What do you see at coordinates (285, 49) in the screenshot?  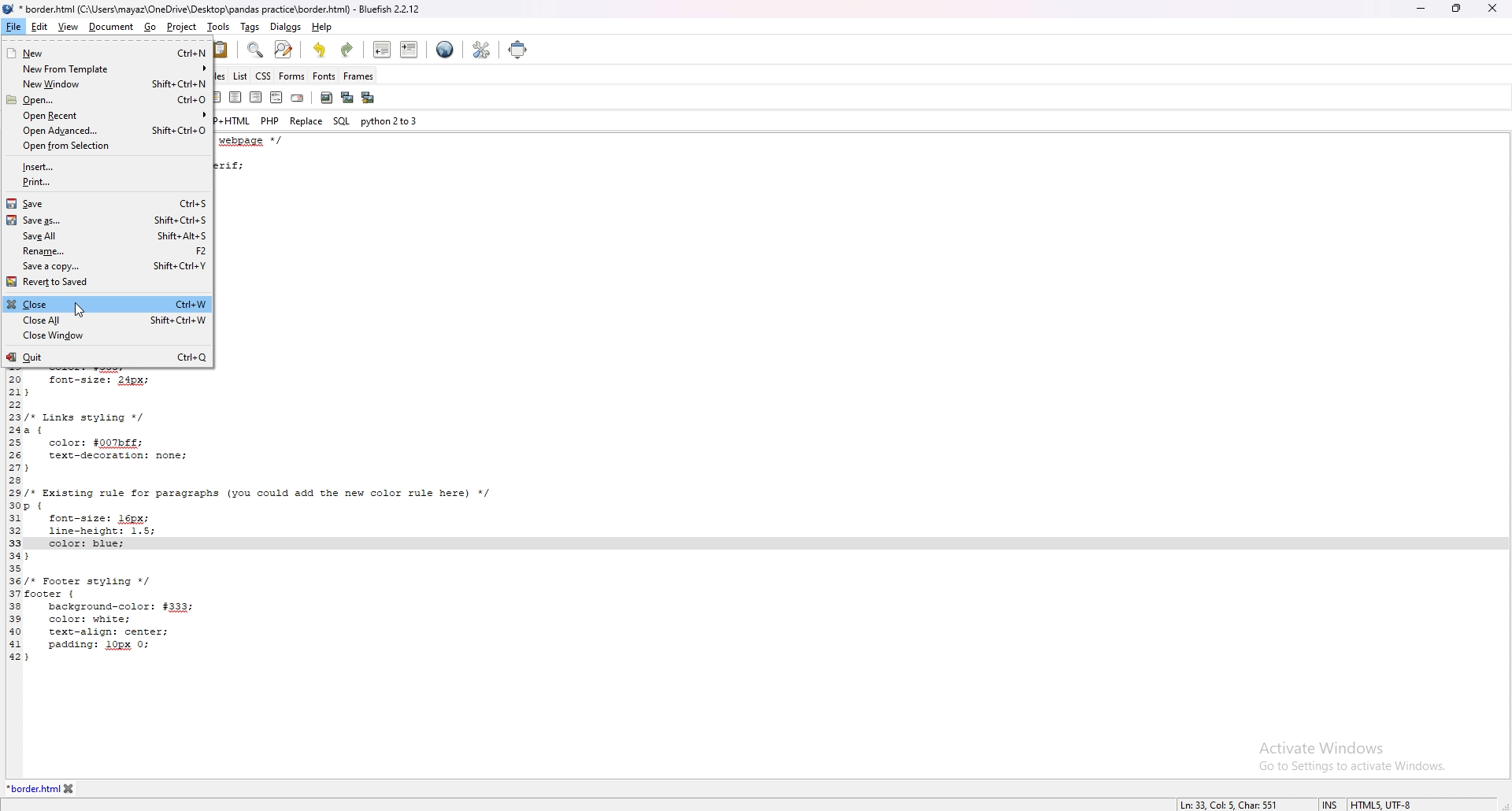 I see `advanced find and replace` at bounding box center [285, 49].